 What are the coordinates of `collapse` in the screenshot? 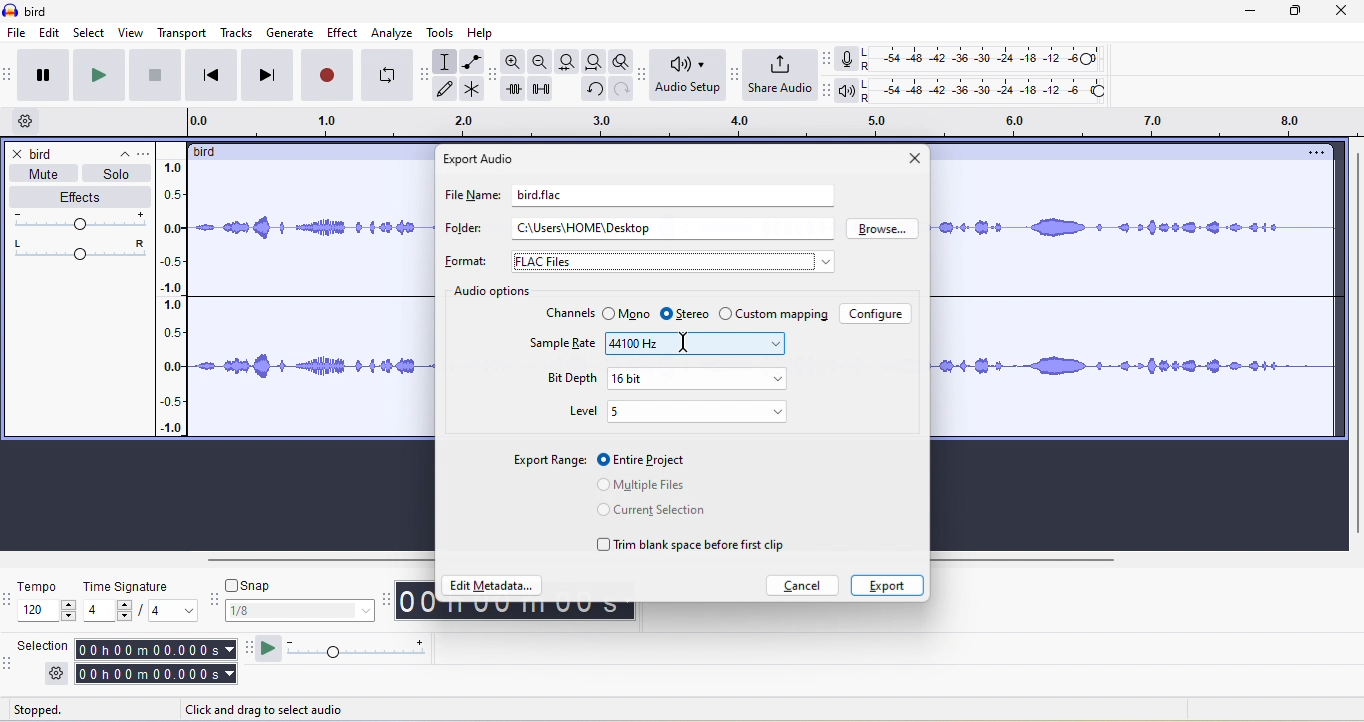 It's located at (117, 150).